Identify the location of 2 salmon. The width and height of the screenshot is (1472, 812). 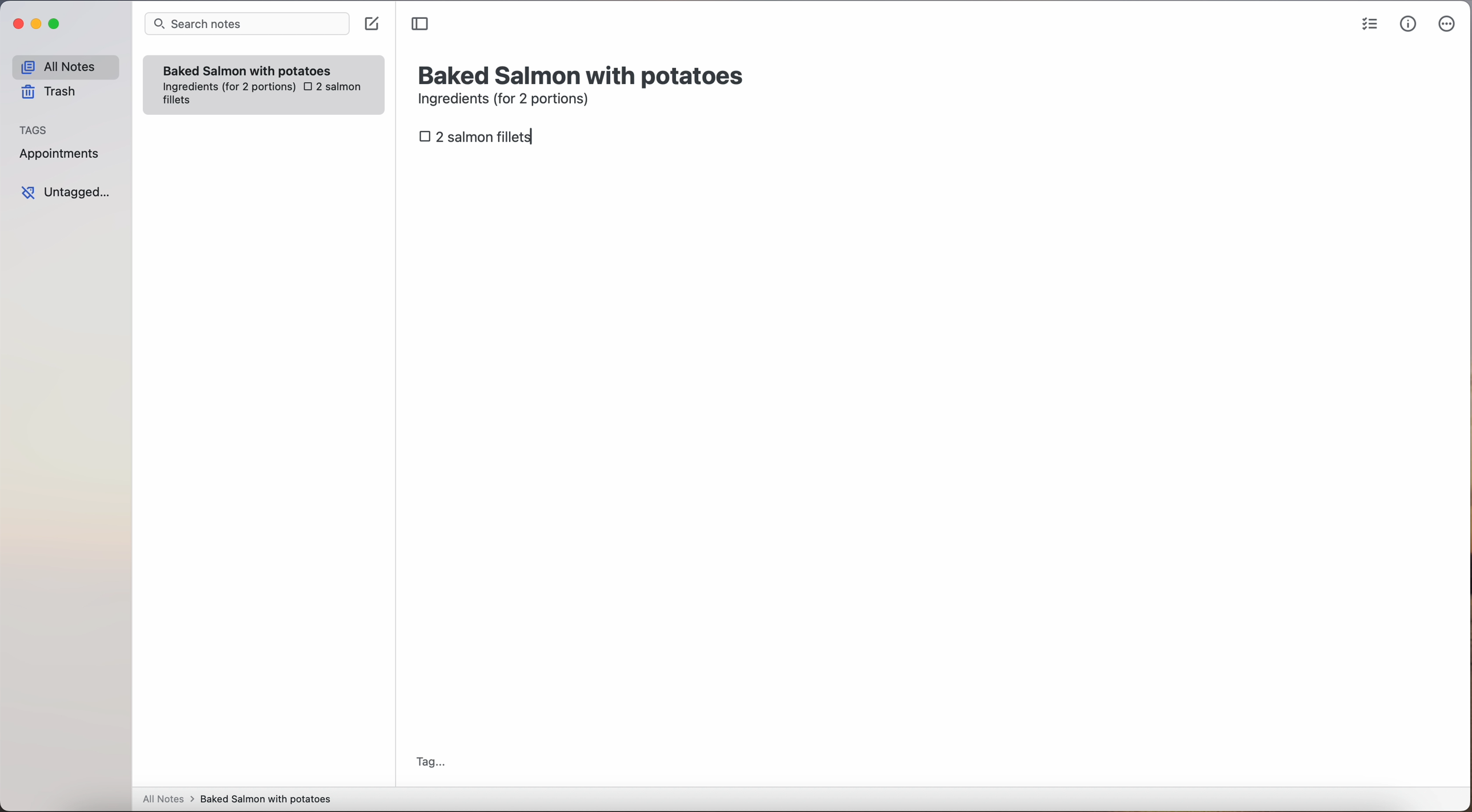
(331, 87).